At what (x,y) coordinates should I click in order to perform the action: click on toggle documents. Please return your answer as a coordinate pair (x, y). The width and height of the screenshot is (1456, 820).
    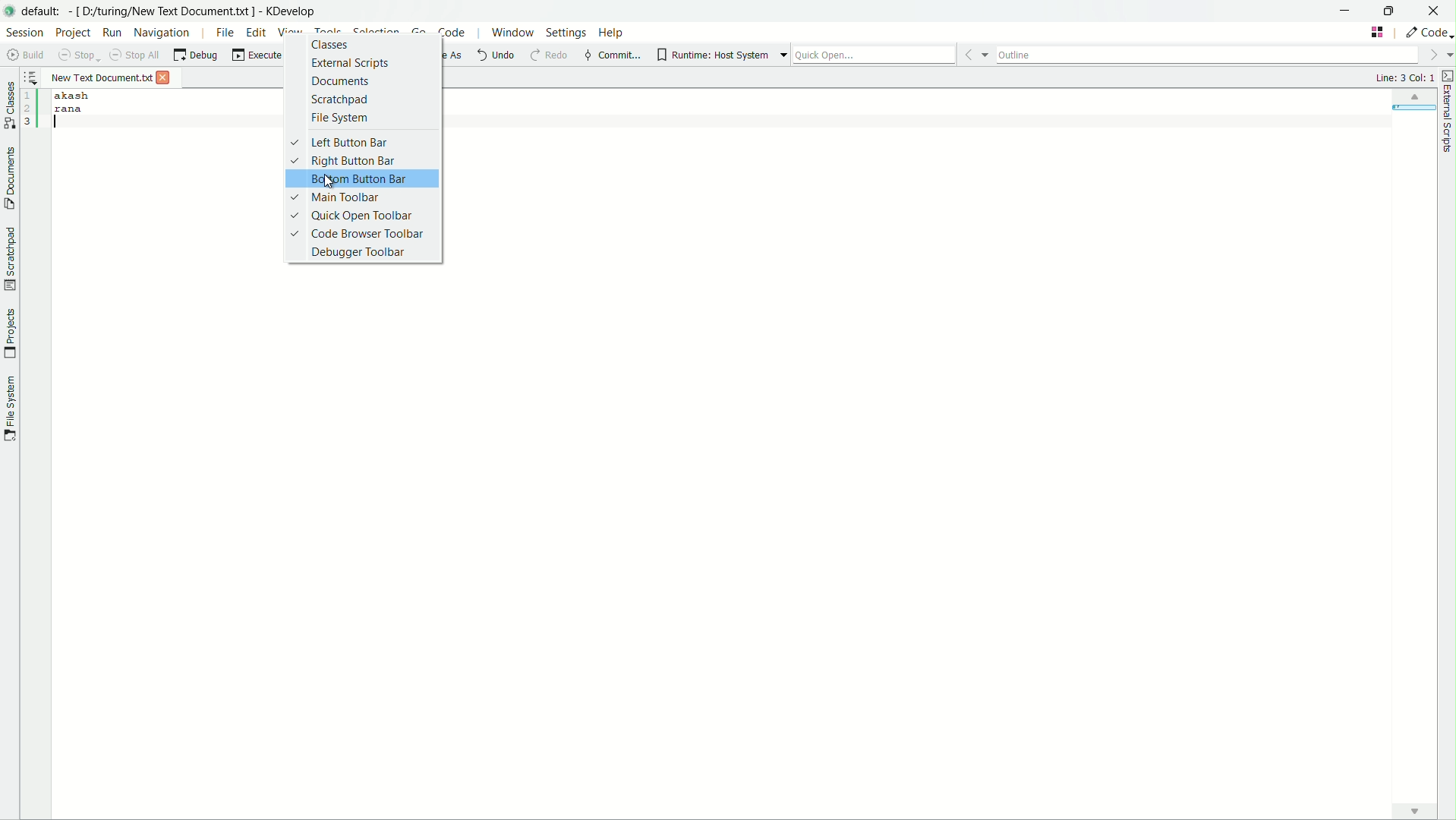
    Looking at the image, I should click on (9, 175).